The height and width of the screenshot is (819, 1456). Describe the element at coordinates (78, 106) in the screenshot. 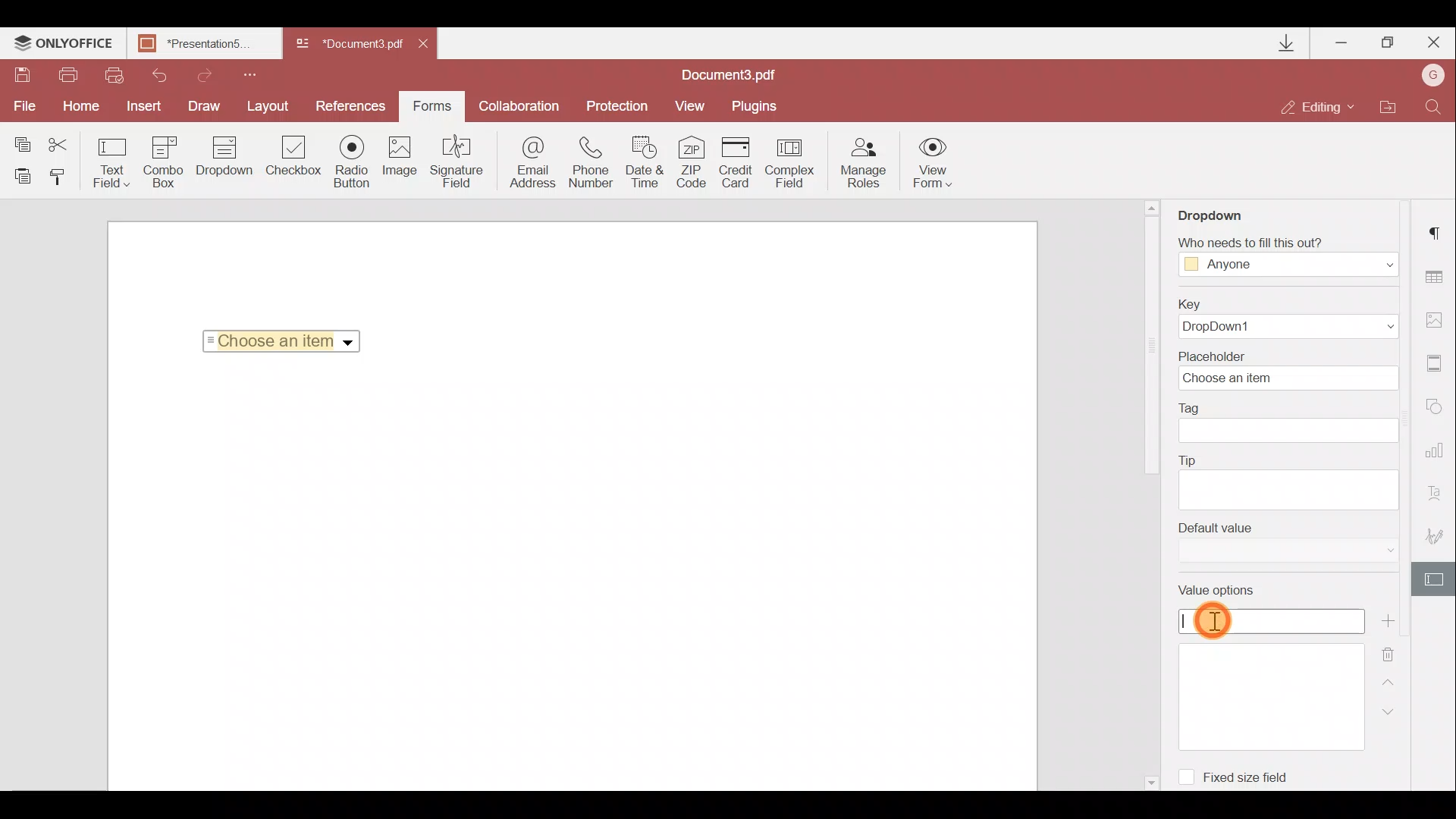

I see `Home` at that location.